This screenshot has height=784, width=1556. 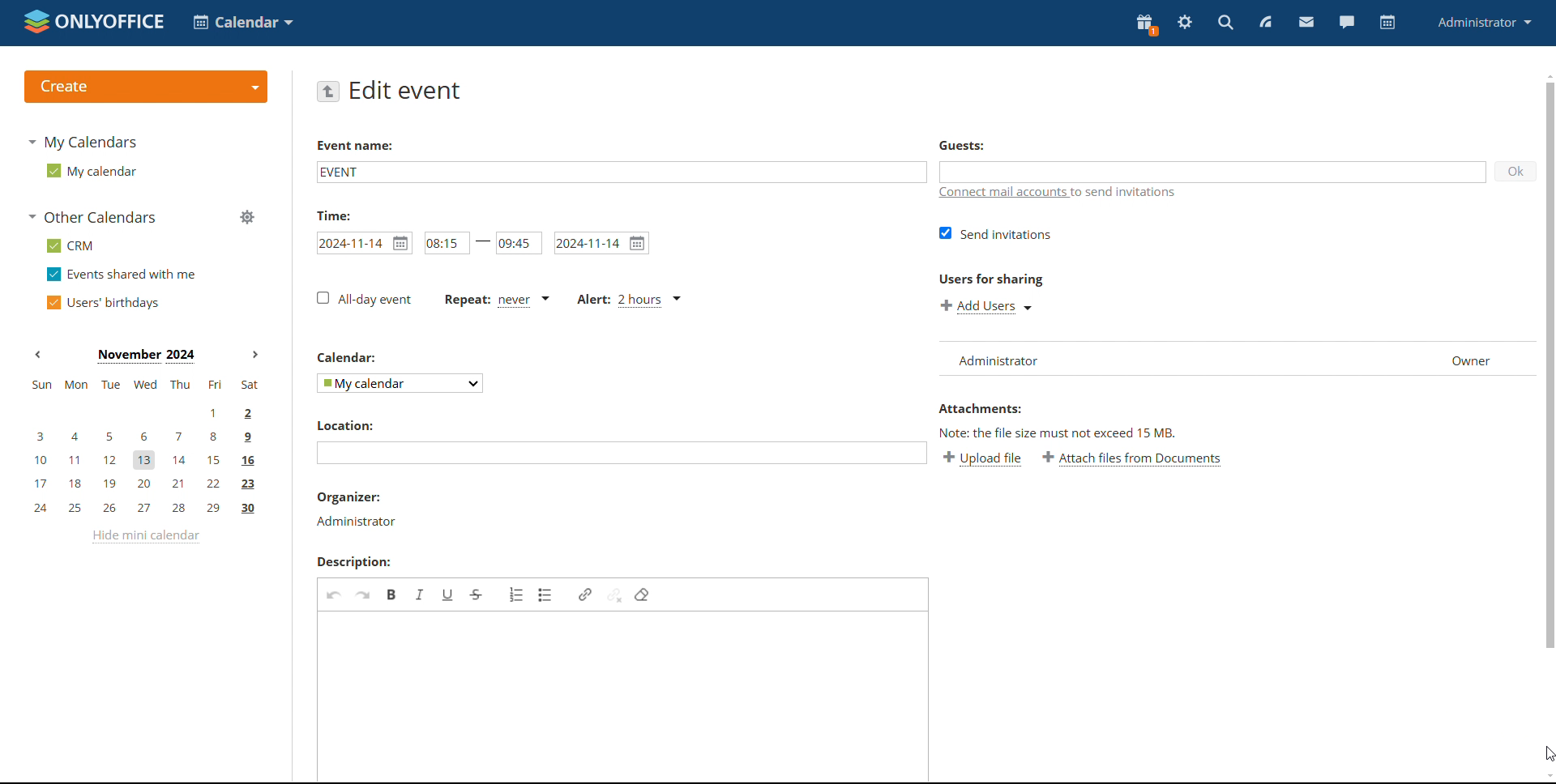 I want to click on add location, so click(x=622, y=454).